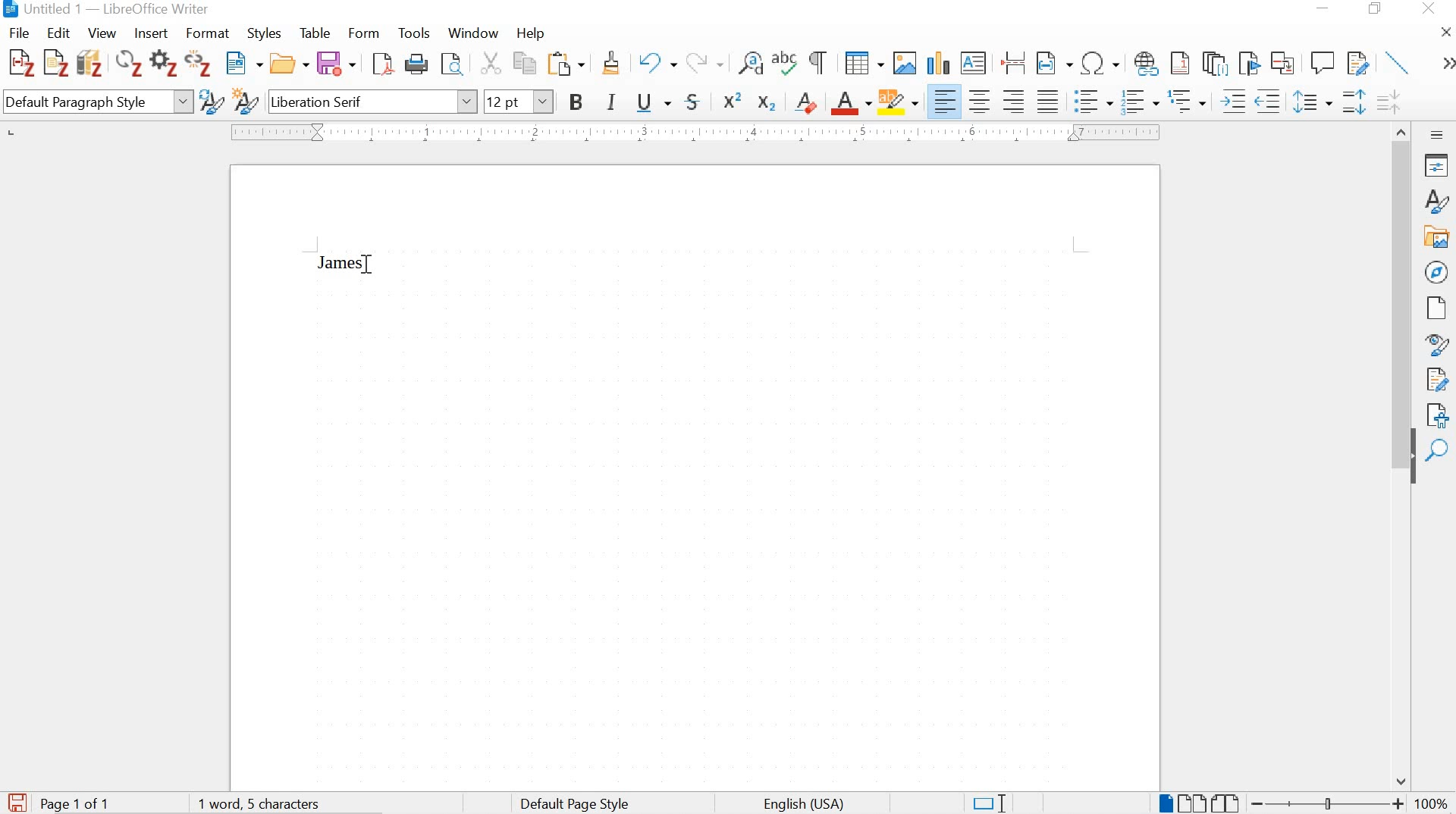 The width and height of the screenshot is (1456, 814). I want to click on increase paragraph spacing, so click(1353, 104).